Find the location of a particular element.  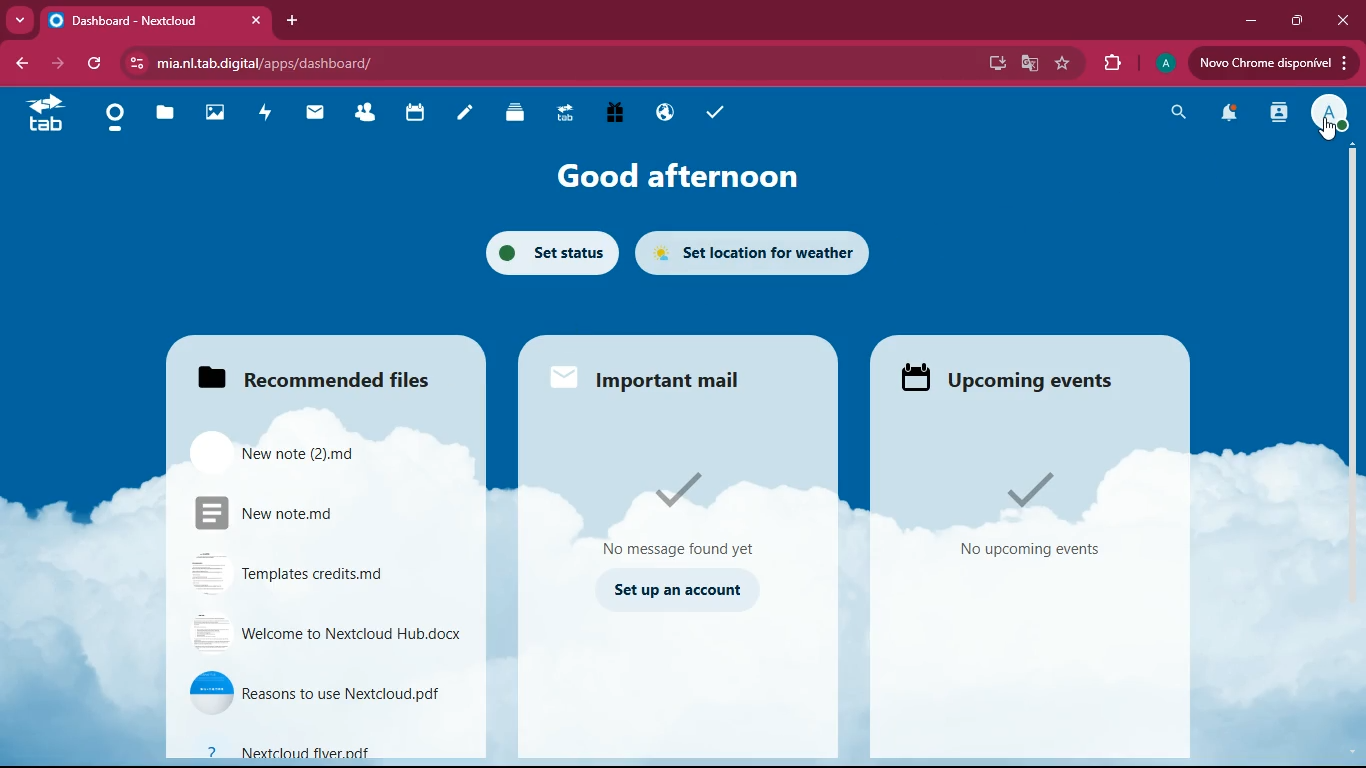

mail is located at coordinates (657, 382).